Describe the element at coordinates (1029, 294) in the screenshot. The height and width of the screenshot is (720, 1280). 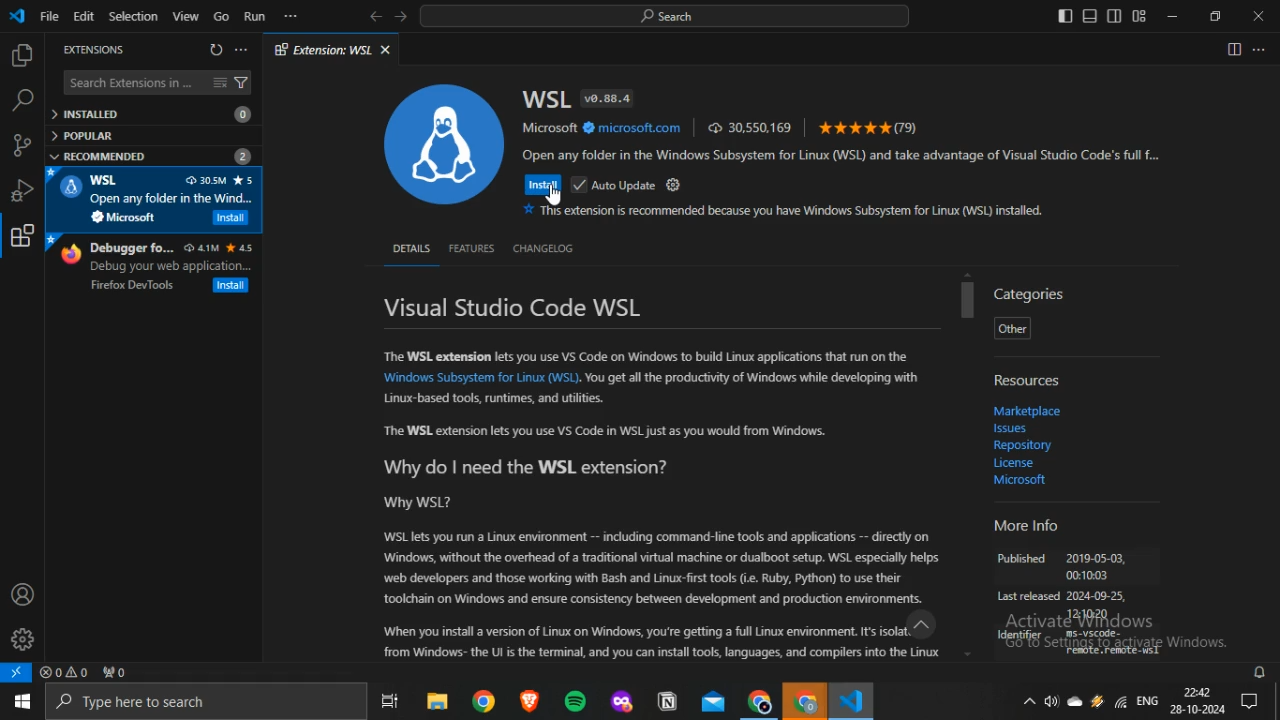
I see `Categories` at that location.